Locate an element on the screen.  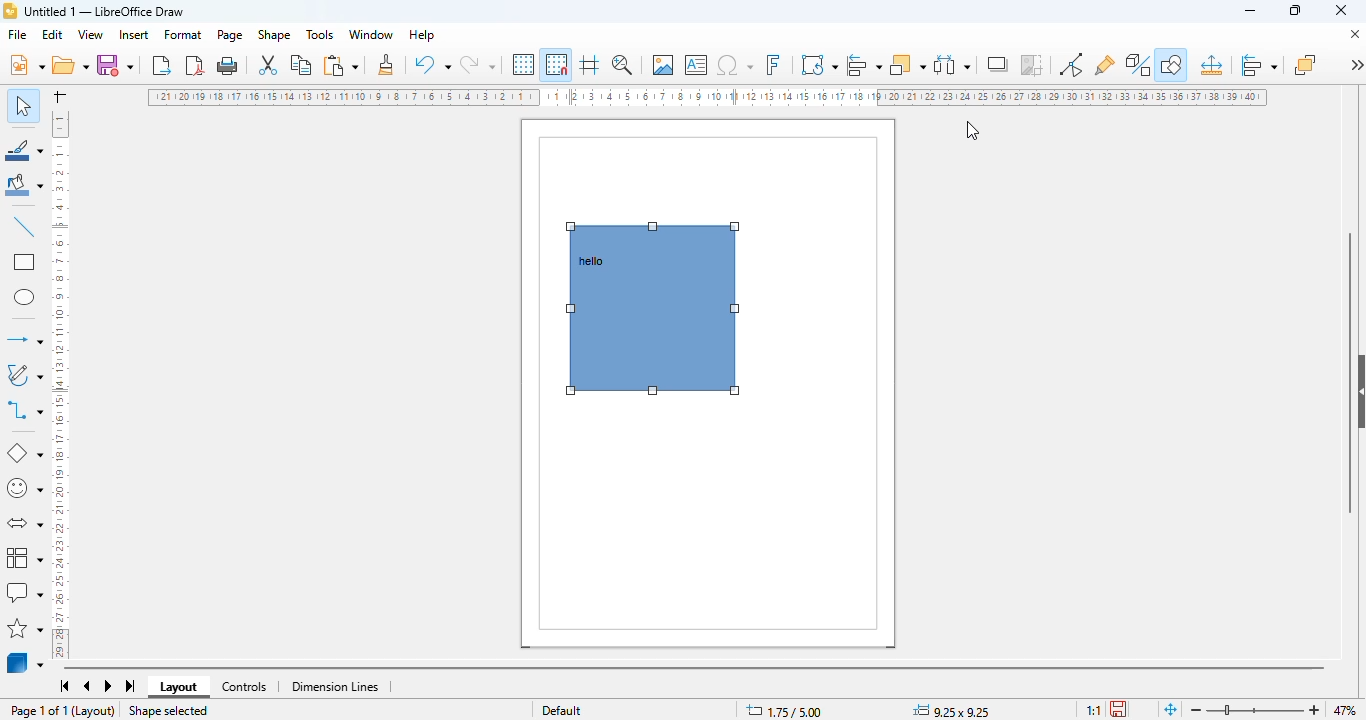
arrange tool aligned objects is located at coordinates (652, 309).